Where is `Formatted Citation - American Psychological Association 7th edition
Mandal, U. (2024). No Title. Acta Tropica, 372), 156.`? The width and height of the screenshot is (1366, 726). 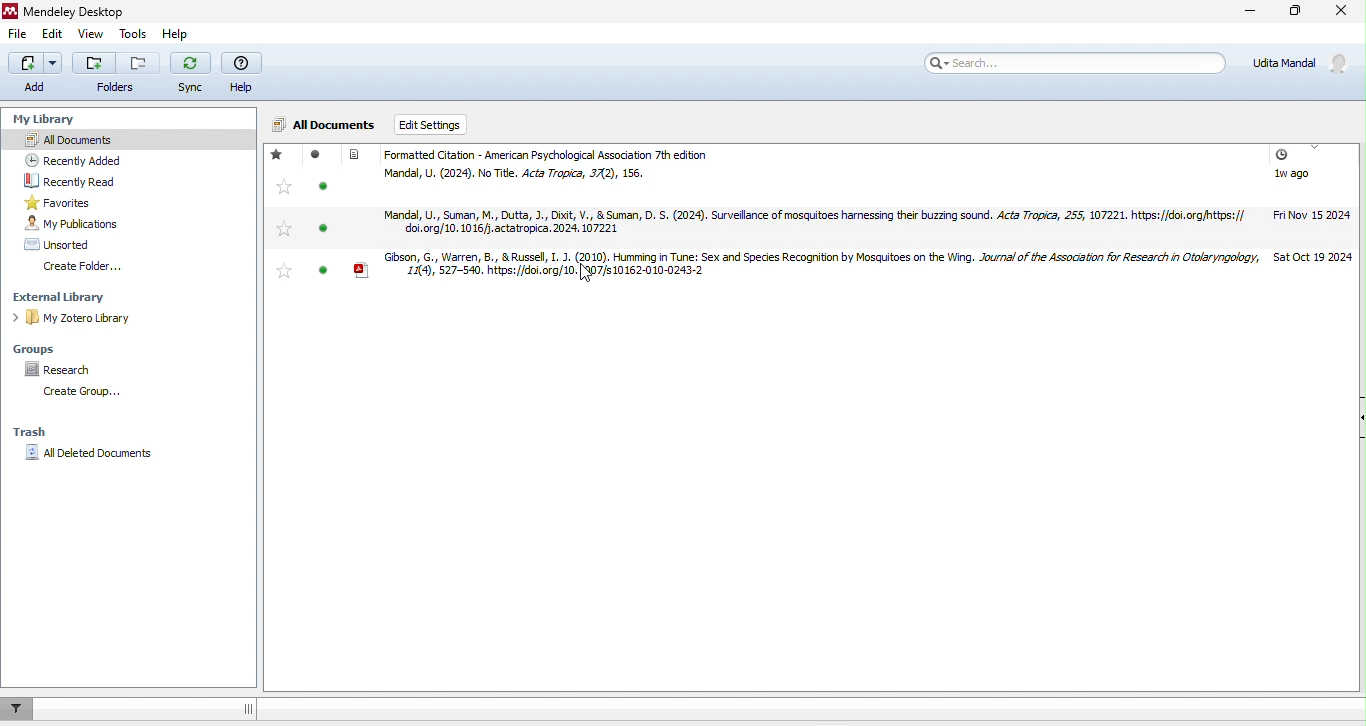 Formatted Citation - American Psychological Association 7th edition
Mandal, U. (2024). No Title. Acta Tropica, 372), 156. is located at coordinates (576, 166).